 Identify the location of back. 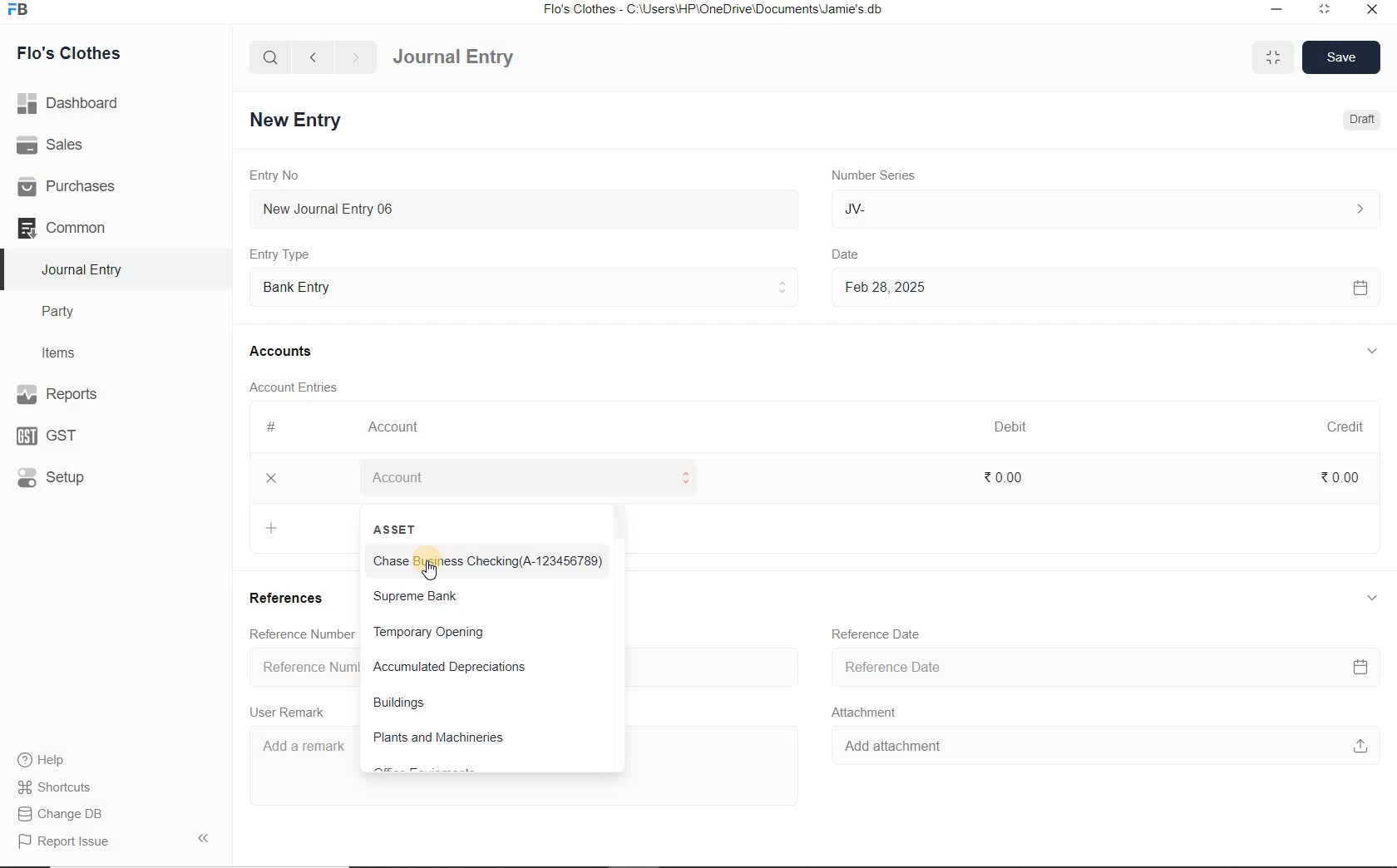
(313, 56).